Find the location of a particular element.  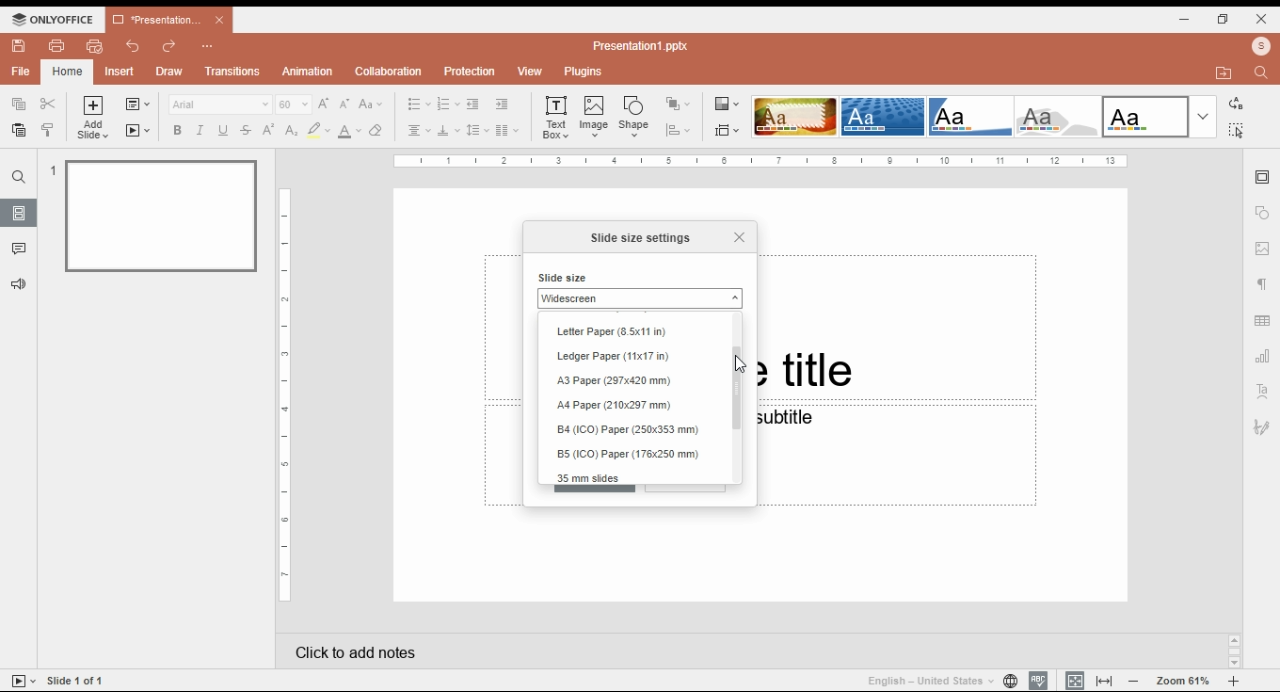

vertical alignment is located at coordinates (448, 133).